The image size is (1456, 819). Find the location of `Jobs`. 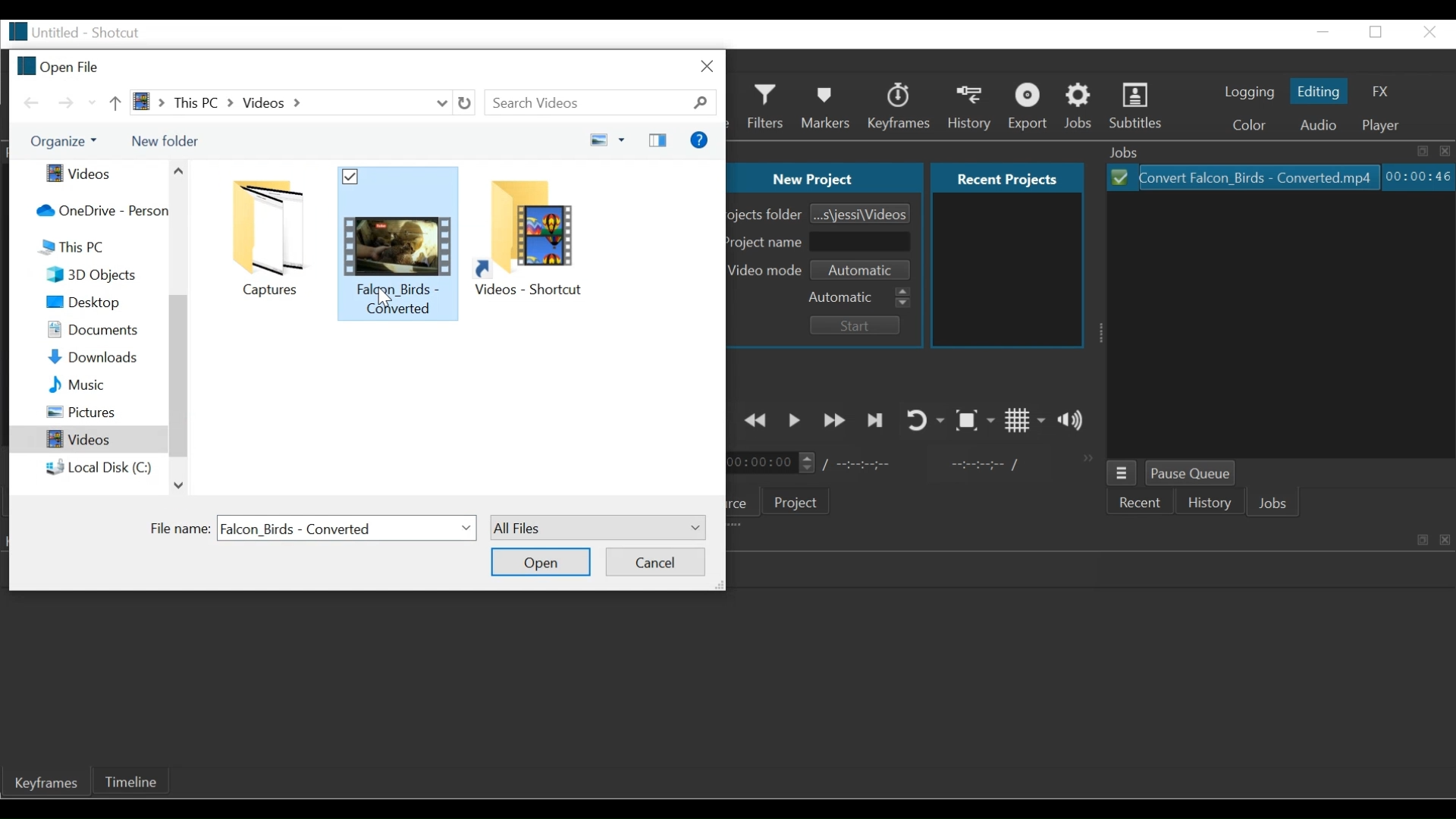

Jobs is located at coordinates (1079, 108).